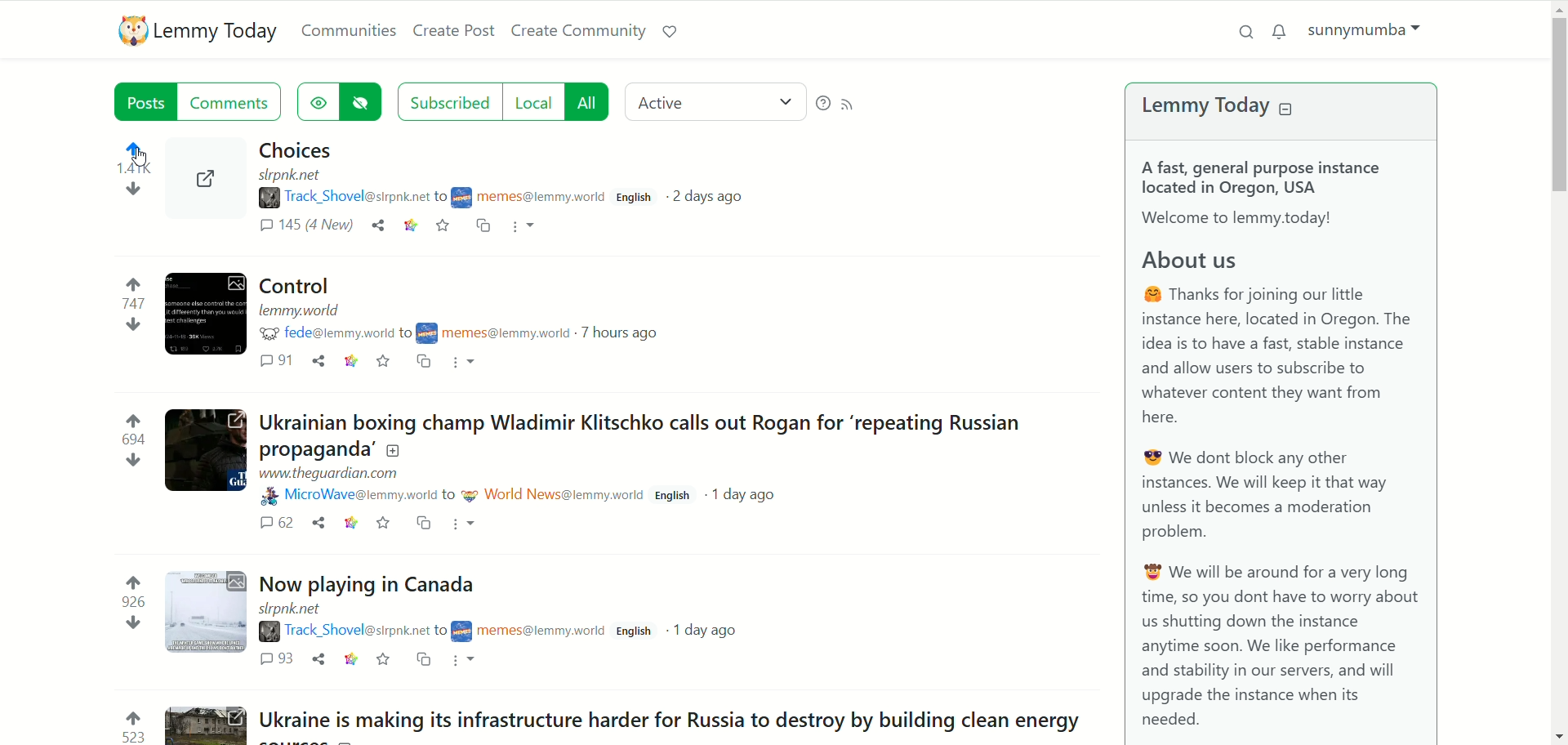  I want to click on poster image, so click(268, 633).